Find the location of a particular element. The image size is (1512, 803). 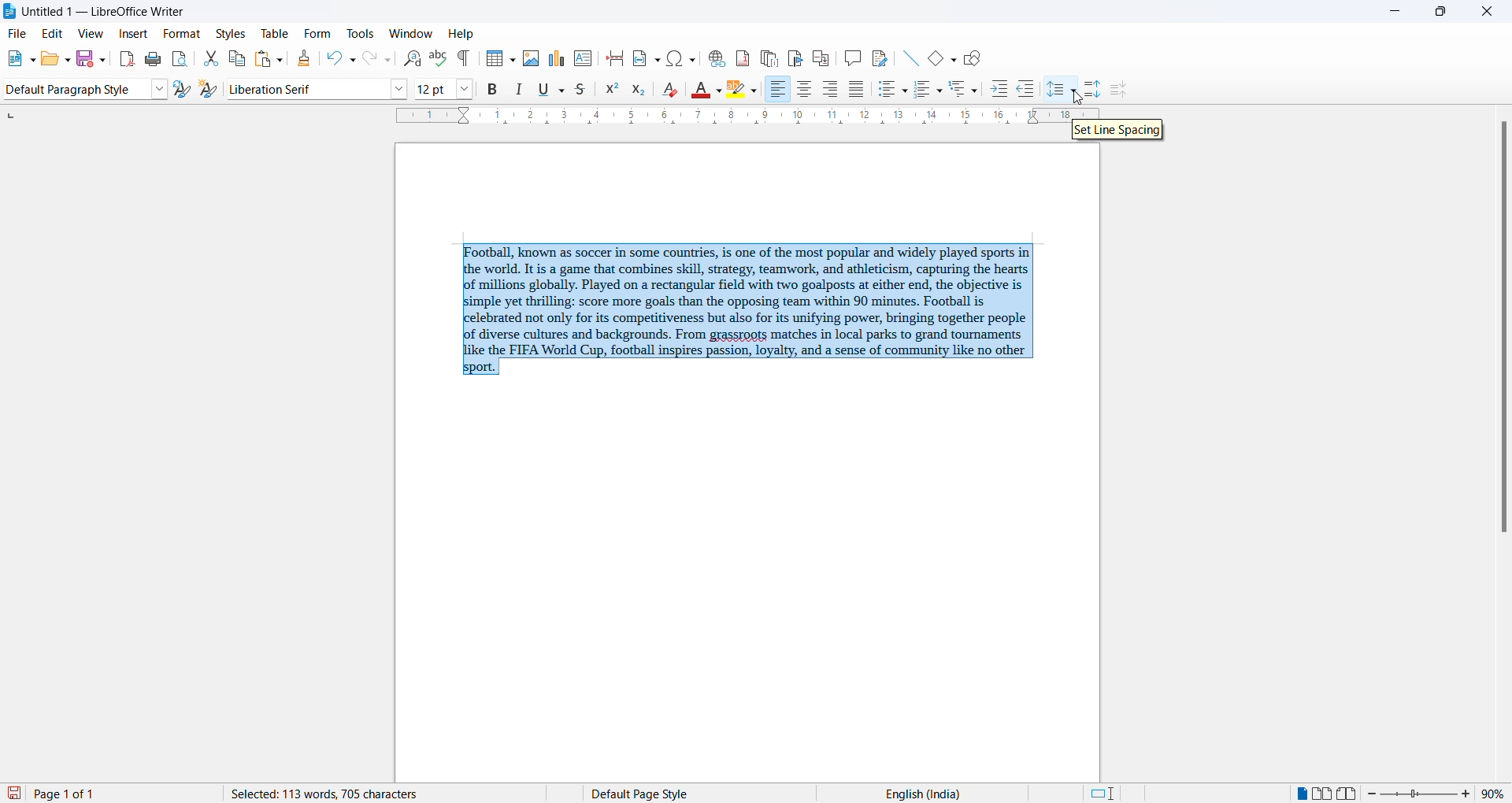

standard selection is located at coordinates (1102, 794).